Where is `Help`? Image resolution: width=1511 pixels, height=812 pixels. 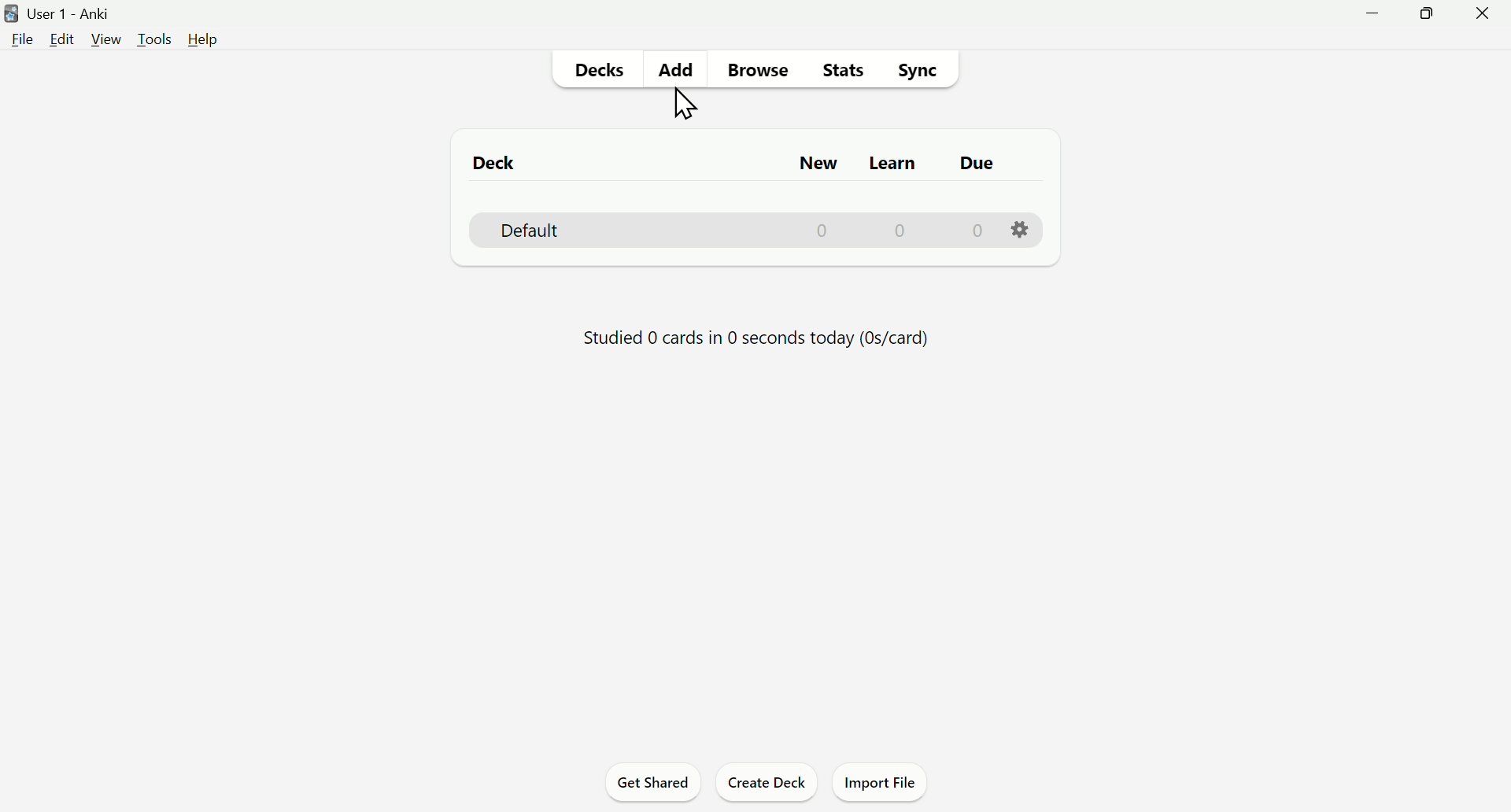 Help is located at coordinates (203, 40).